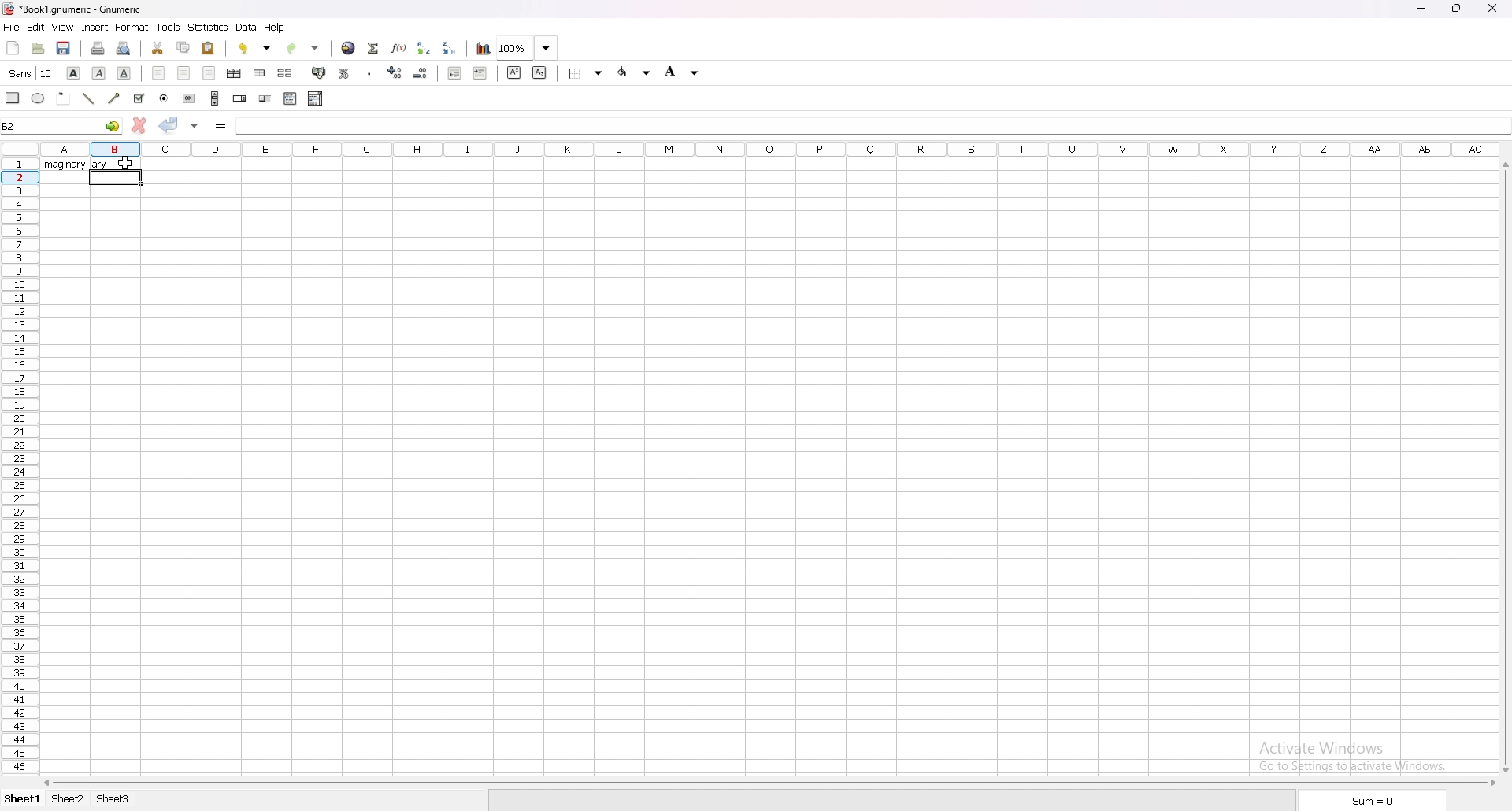  Describe the element at coordinates (586, 74) in the screenshot. I see `border` at that location.